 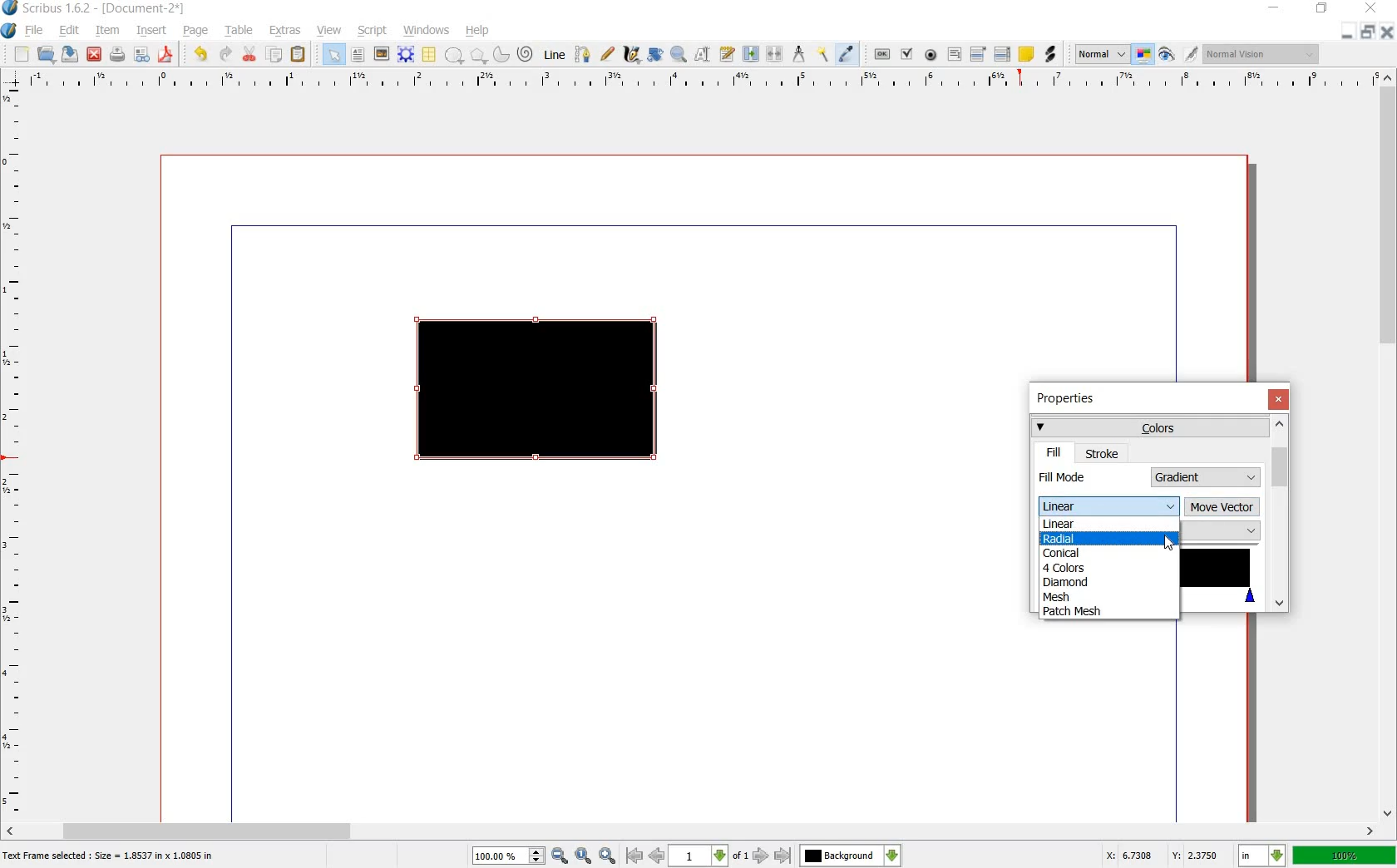 I want to click on line, so click(x=556, y=56).